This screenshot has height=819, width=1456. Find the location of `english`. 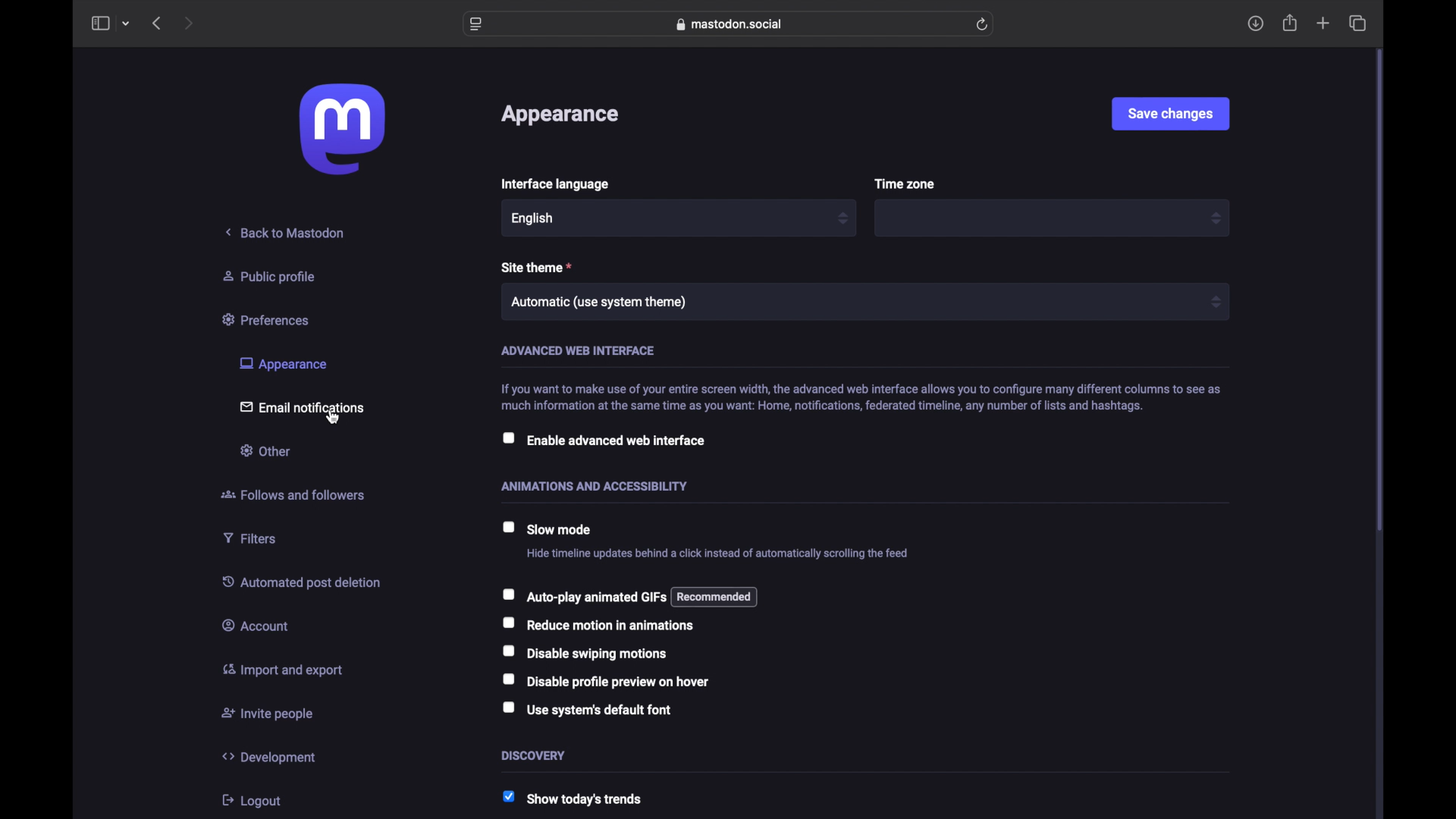

english is located at coordinates (533, 218).